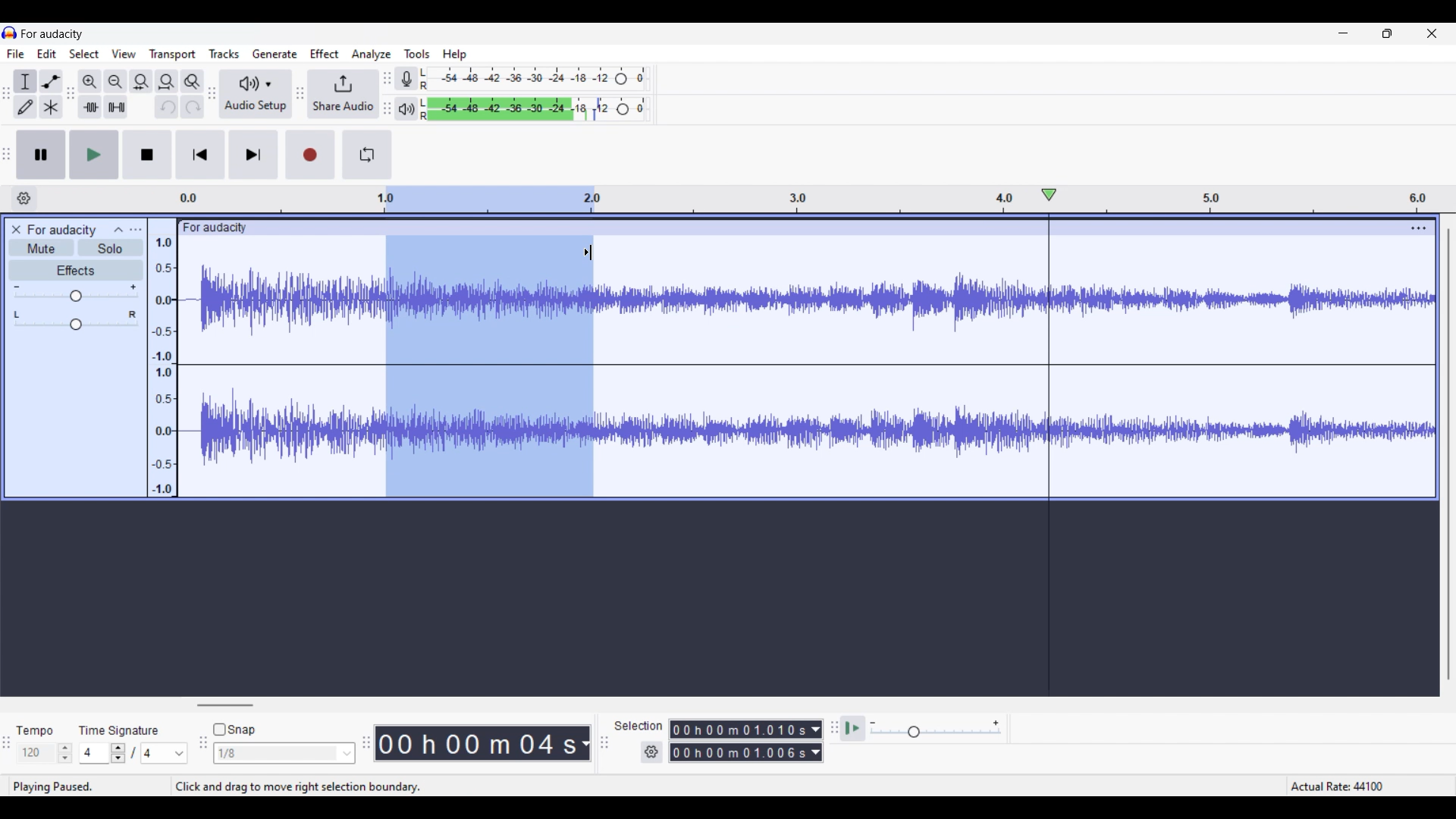 The width and height of the screenshot is (1456, 819). I want to click on Minimize, so click(1344, 33).